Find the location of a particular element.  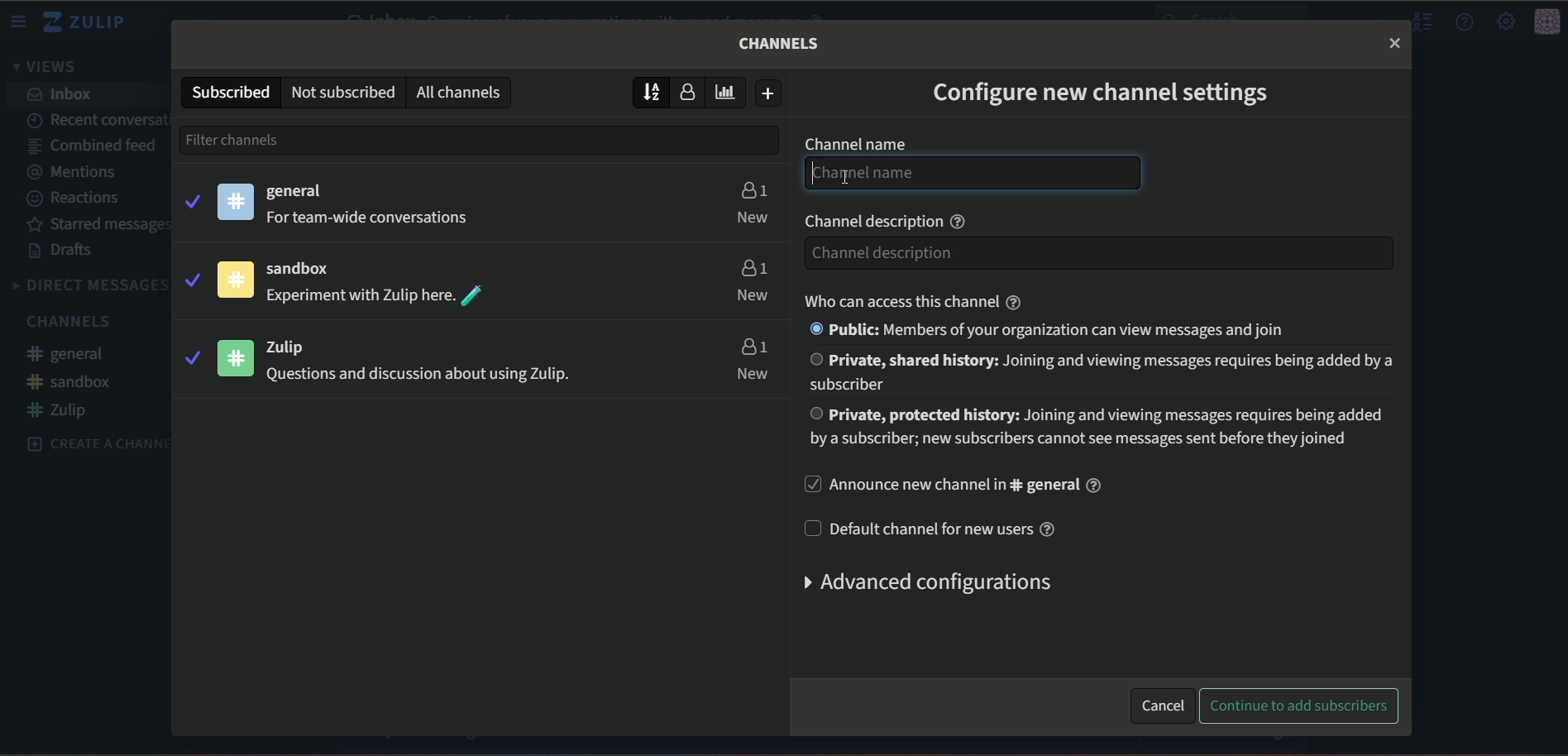

zulip logo is located at coordinates (89, 21).